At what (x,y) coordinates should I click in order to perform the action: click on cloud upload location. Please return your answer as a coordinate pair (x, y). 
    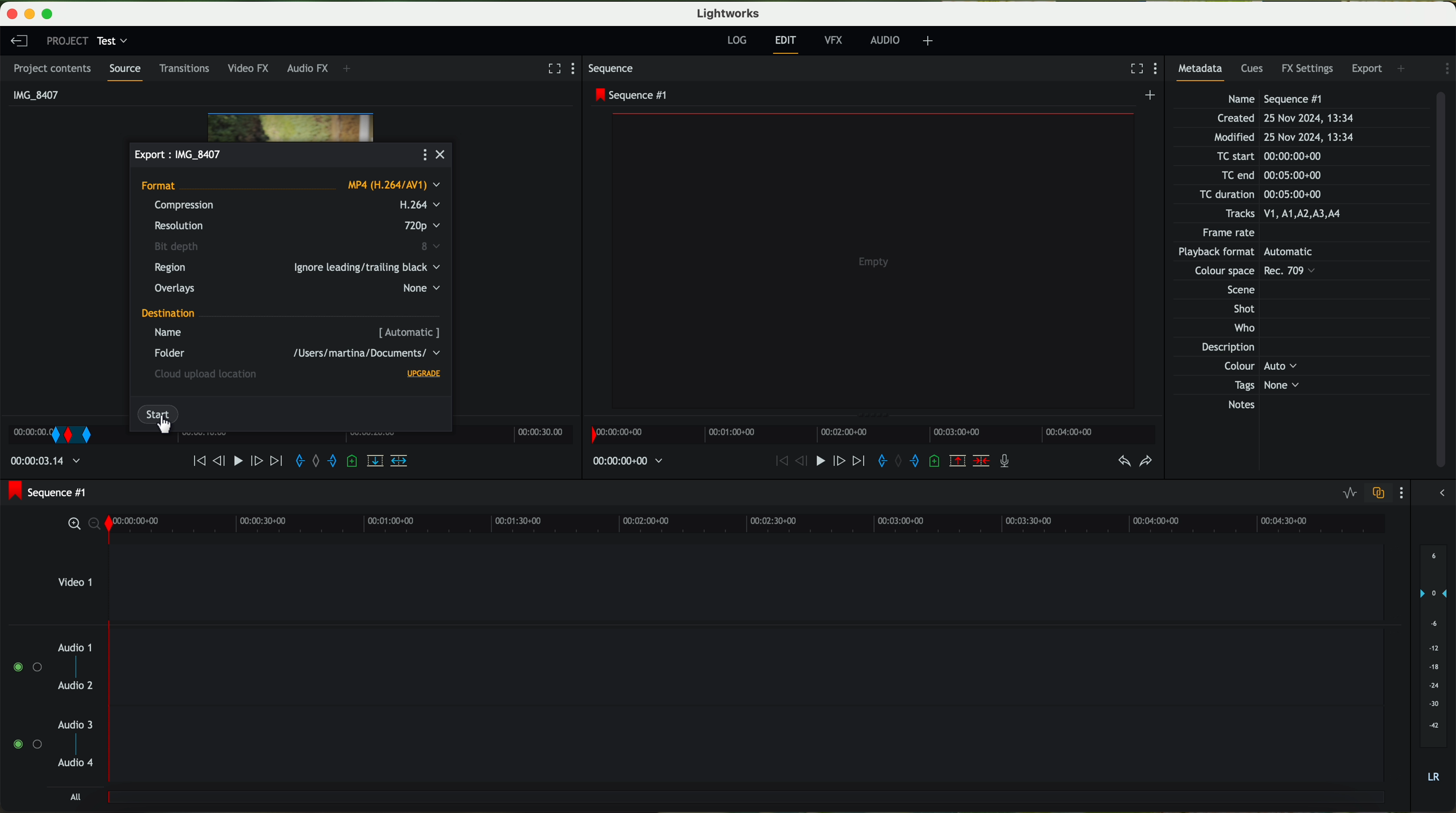
    Looking at the image, I should click on (209, 375).